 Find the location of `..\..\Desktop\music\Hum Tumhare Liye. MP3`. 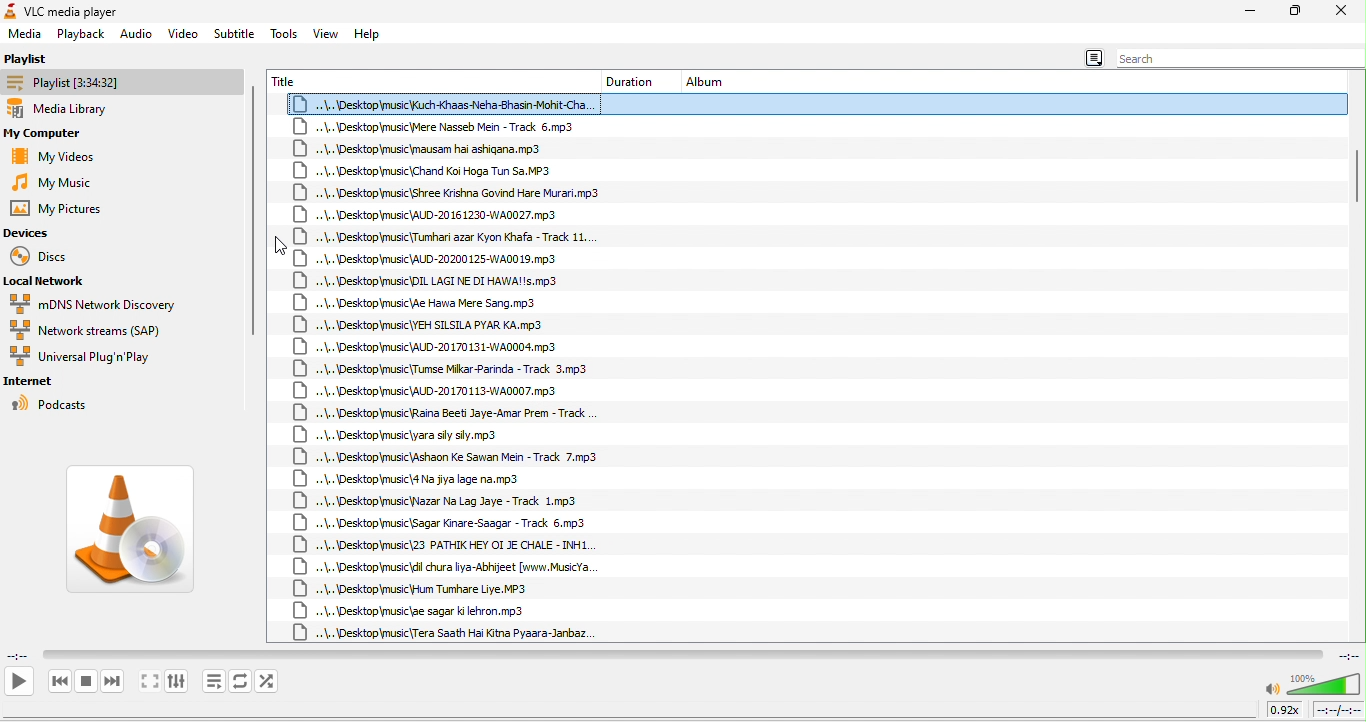

..\..\Desktop\music\Hum Tumhare Liye. MP3 is located at coordinates (414, 588).